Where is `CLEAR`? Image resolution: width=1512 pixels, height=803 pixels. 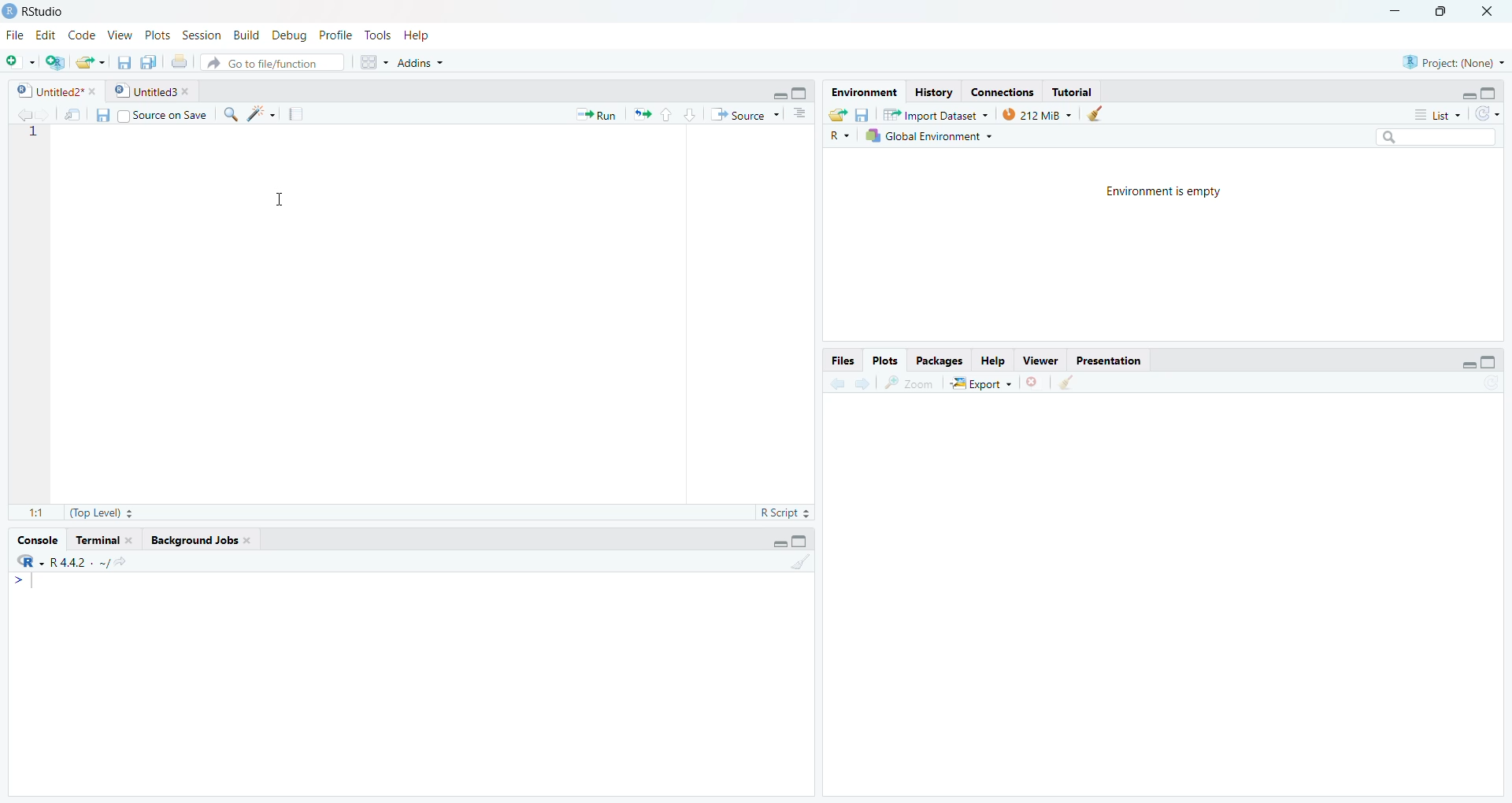
CLEAR is located at coordinates (1074, 383).